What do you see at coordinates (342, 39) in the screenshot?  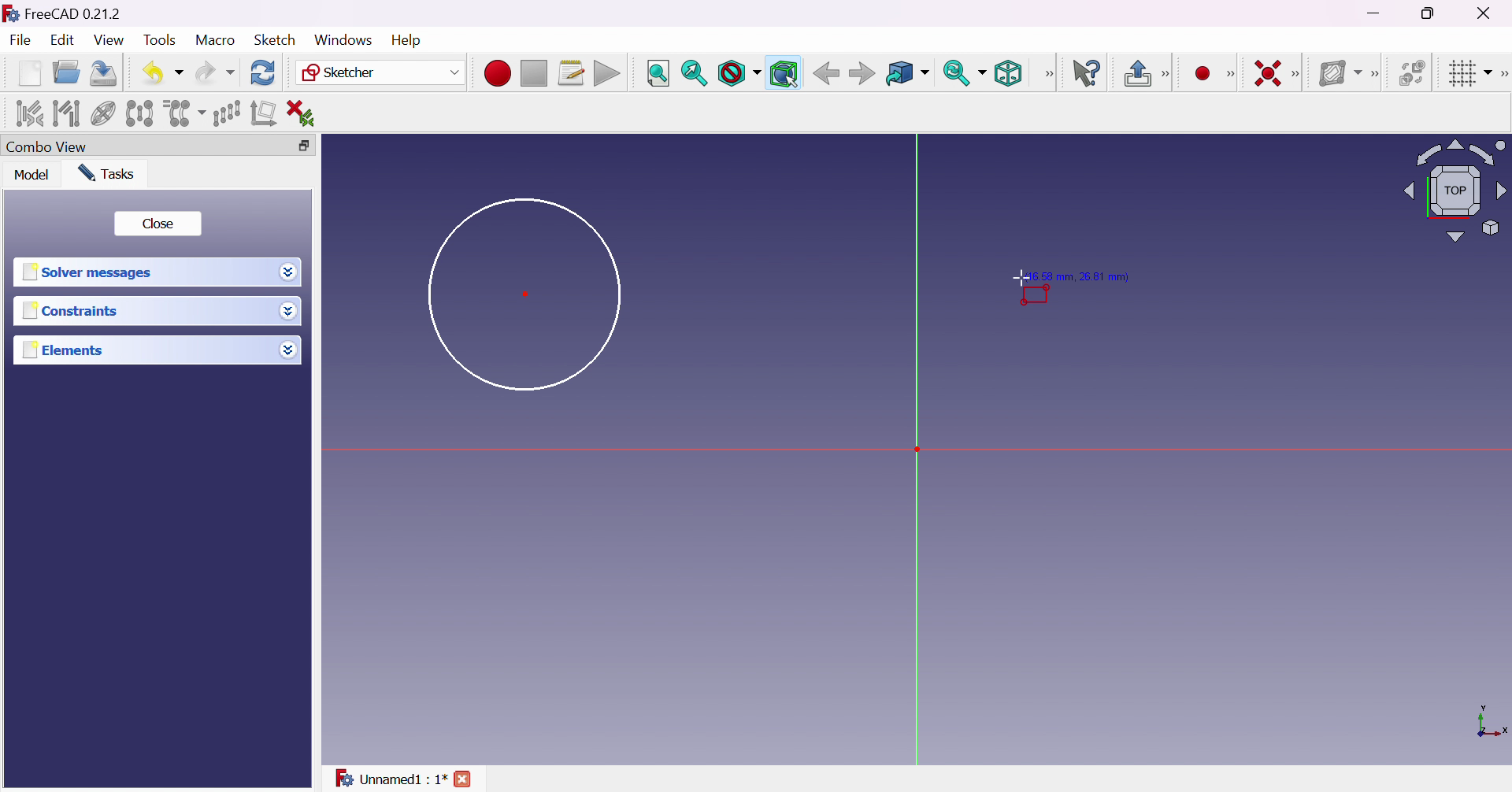 I see `Windows` at bounding box center [342, 39].